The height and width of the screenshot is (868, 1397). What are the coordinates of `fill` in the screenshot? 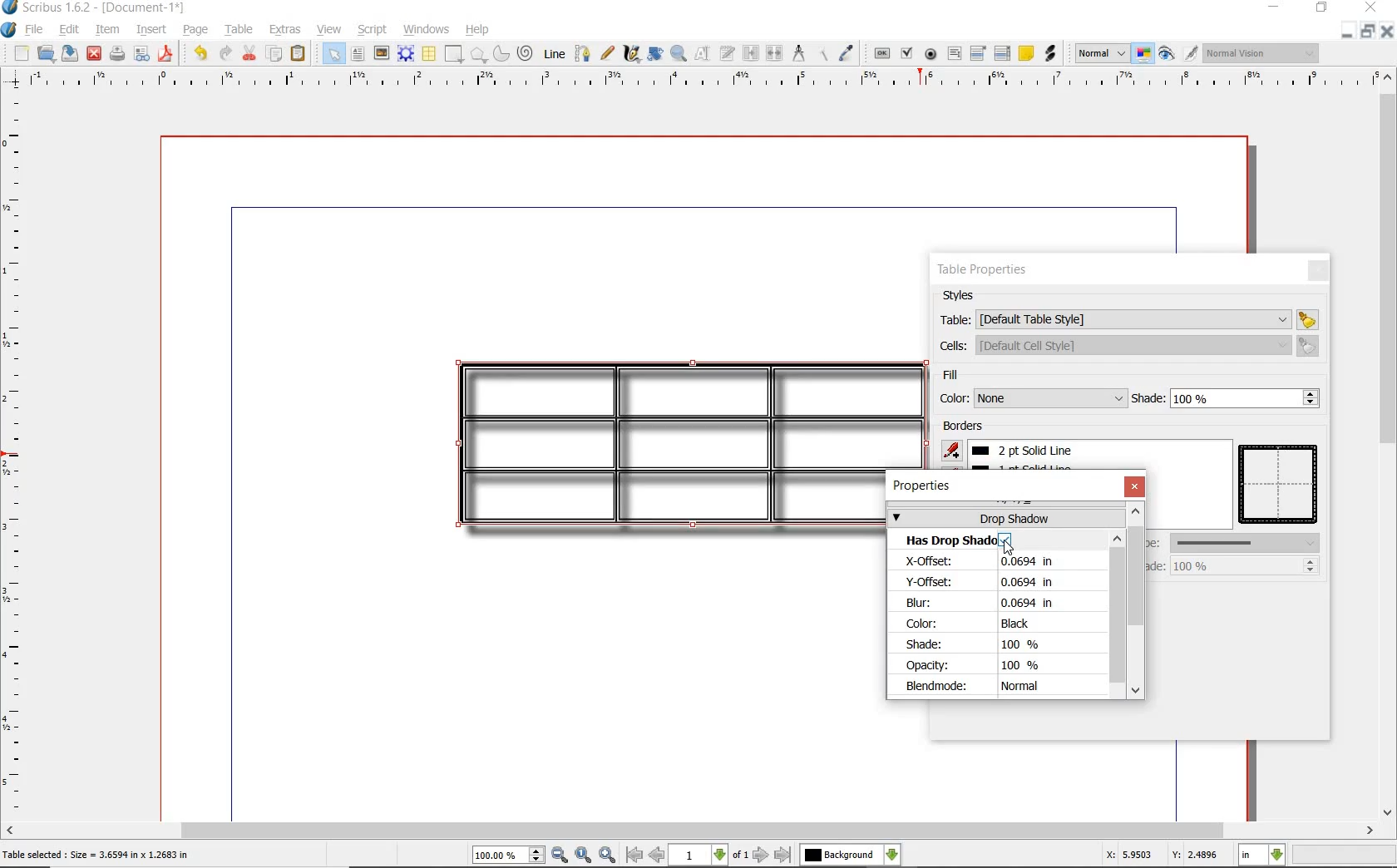 It's located at (974, 377).